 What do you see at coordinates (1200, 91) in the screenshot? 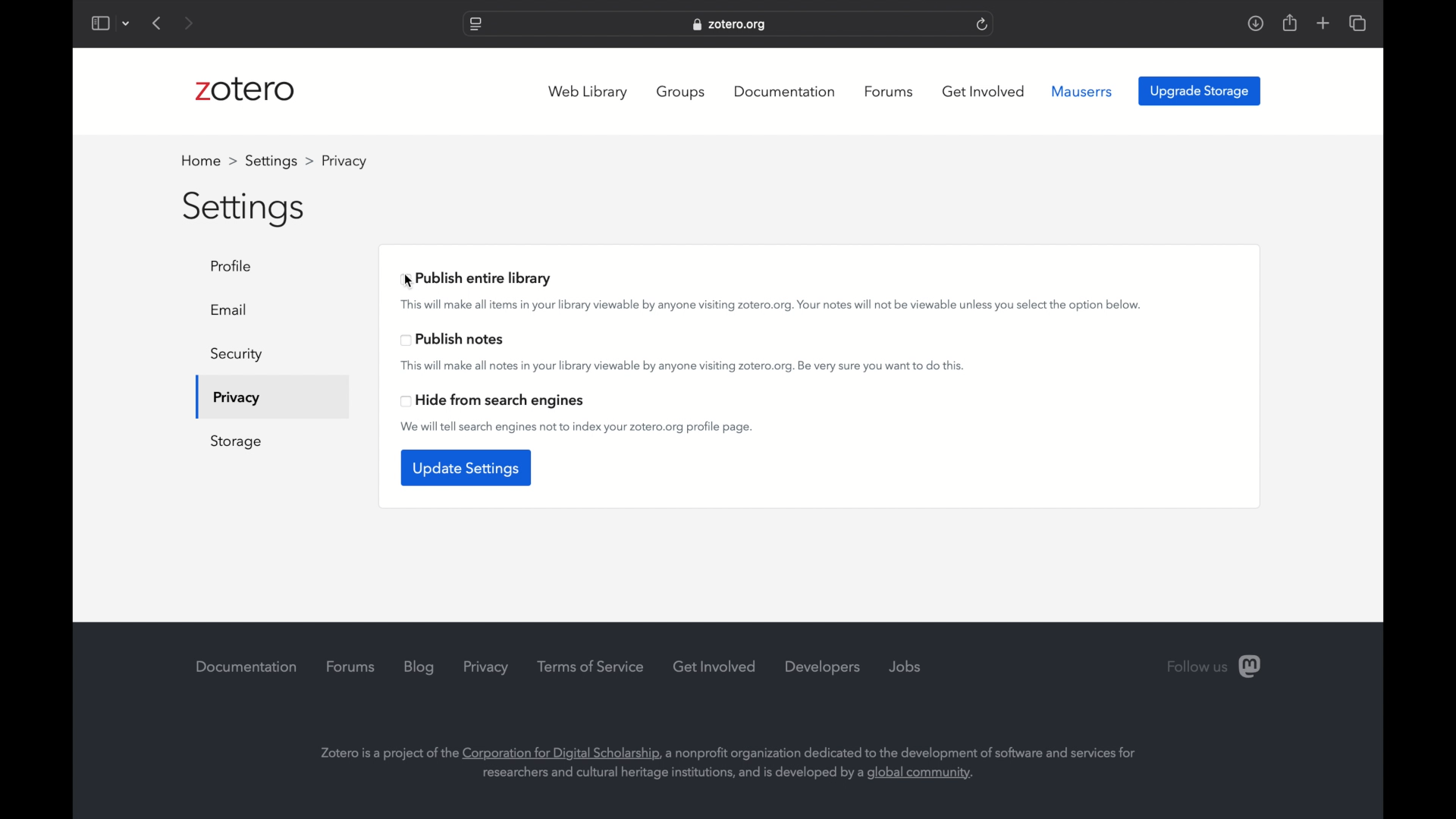
I see `upgrade storage` at bounding box center [1200, 91].